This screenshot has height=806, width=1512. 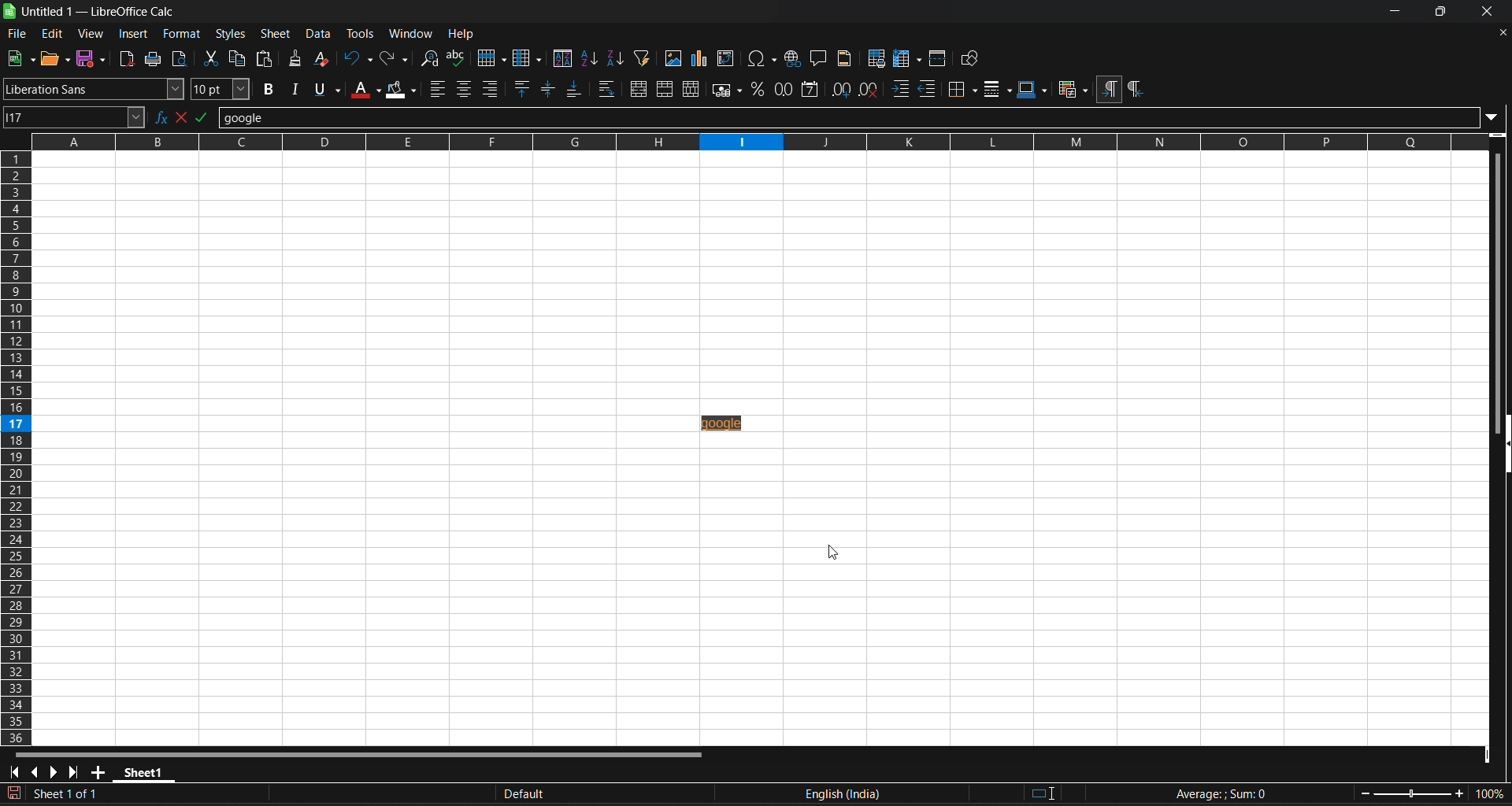 I want to click on align bottom, so click(x=574, y=89).